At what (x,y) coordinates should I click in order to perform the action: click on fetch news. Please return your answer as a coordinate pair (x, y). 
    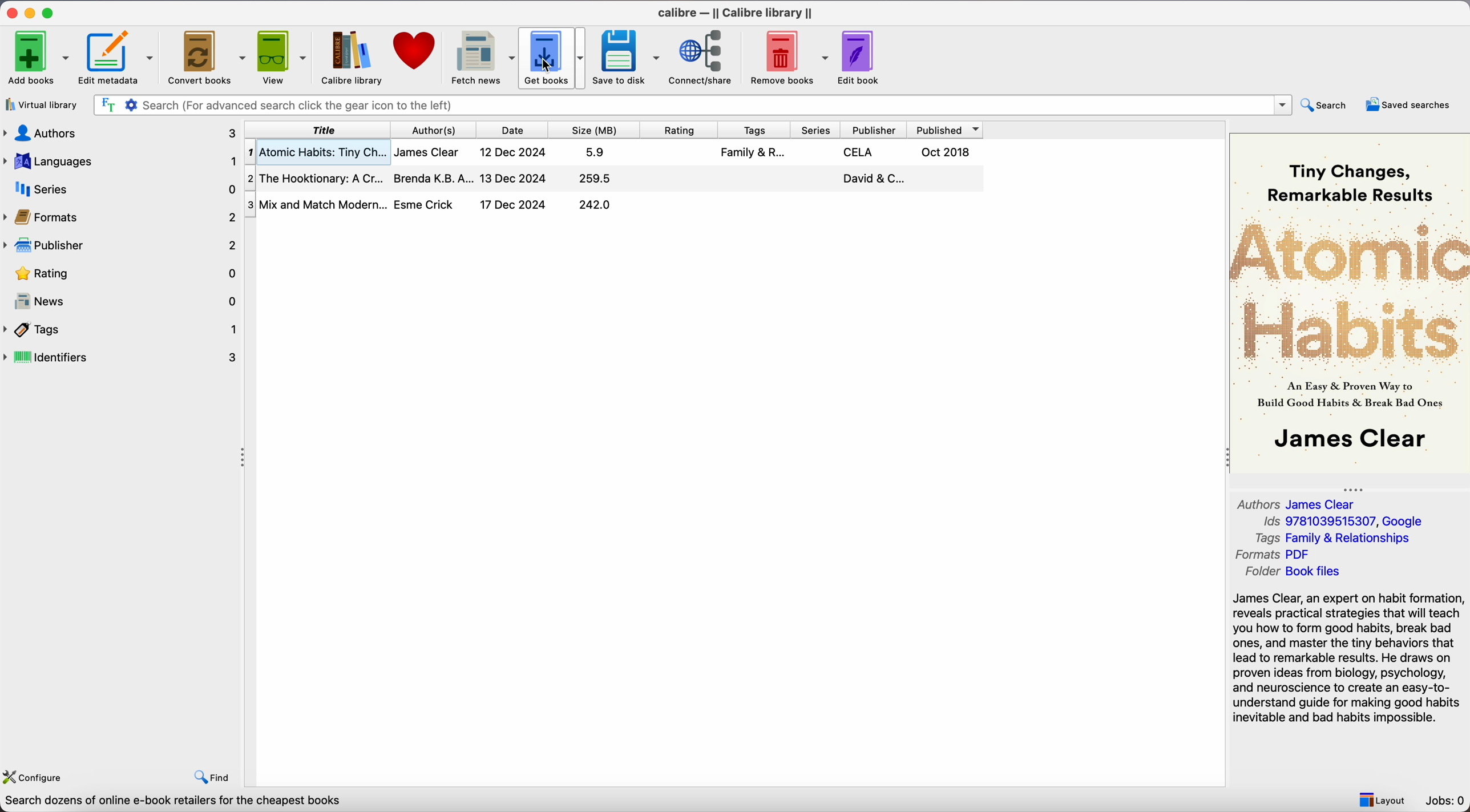
    Looking at the image, I should click on (479, 56).